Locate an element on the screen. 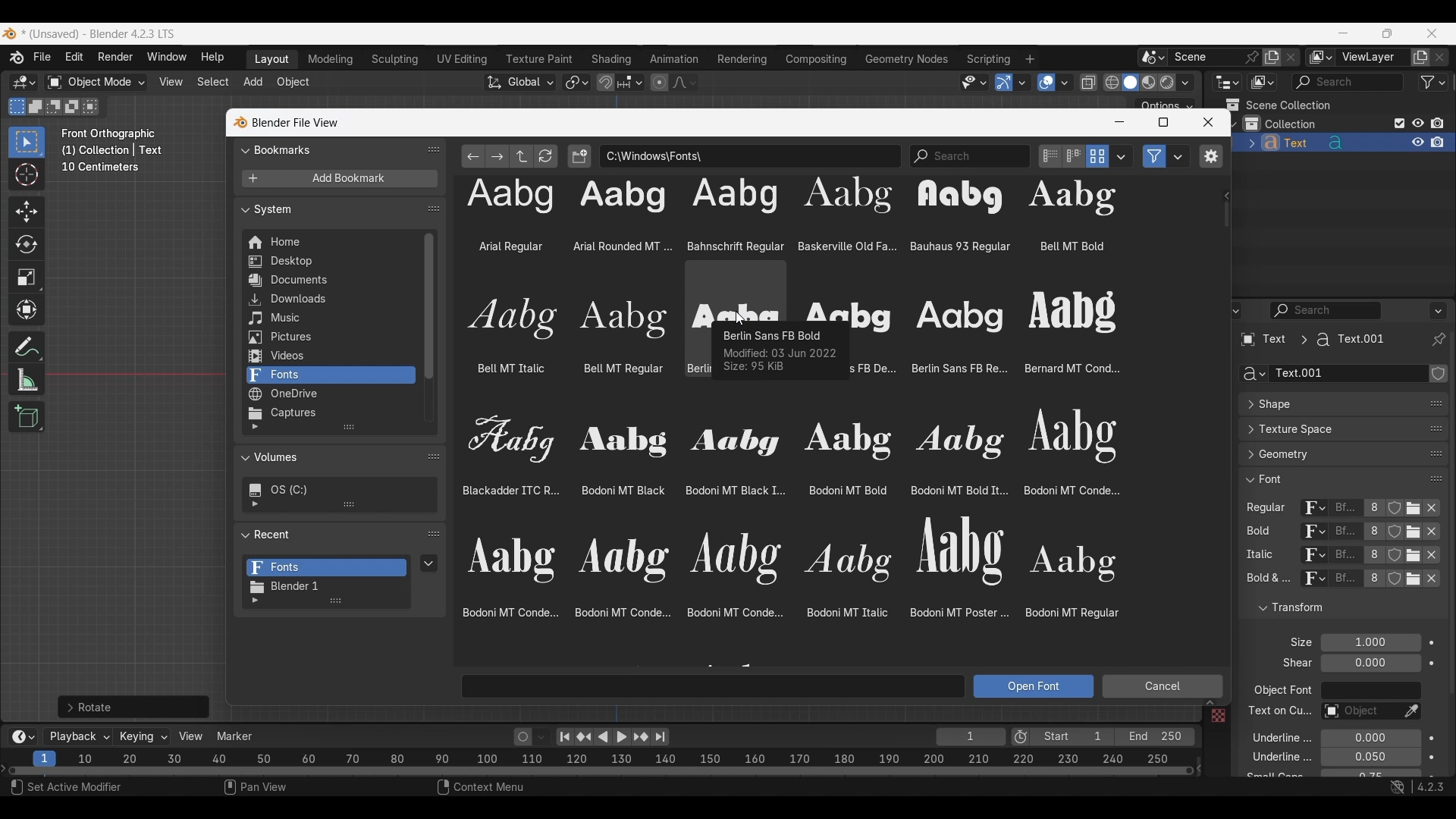 This screenshot has width=1456, height=819. Object font is located at coordinates (1370, 691).